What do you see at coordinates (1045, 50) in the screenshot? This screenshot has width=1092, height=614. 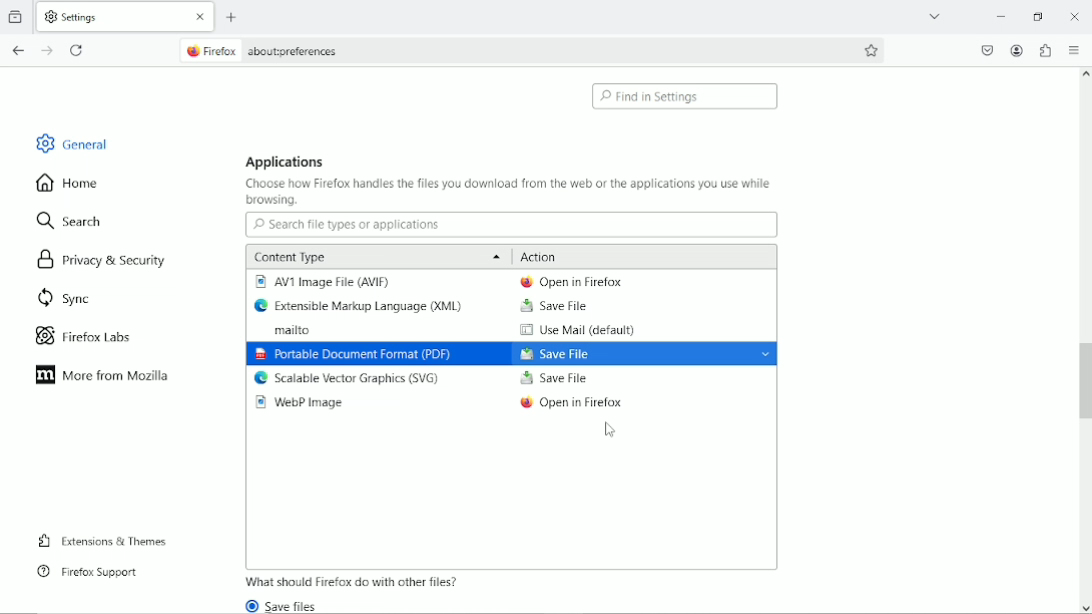 I see `extensions` at bounding box center [1045, 50].